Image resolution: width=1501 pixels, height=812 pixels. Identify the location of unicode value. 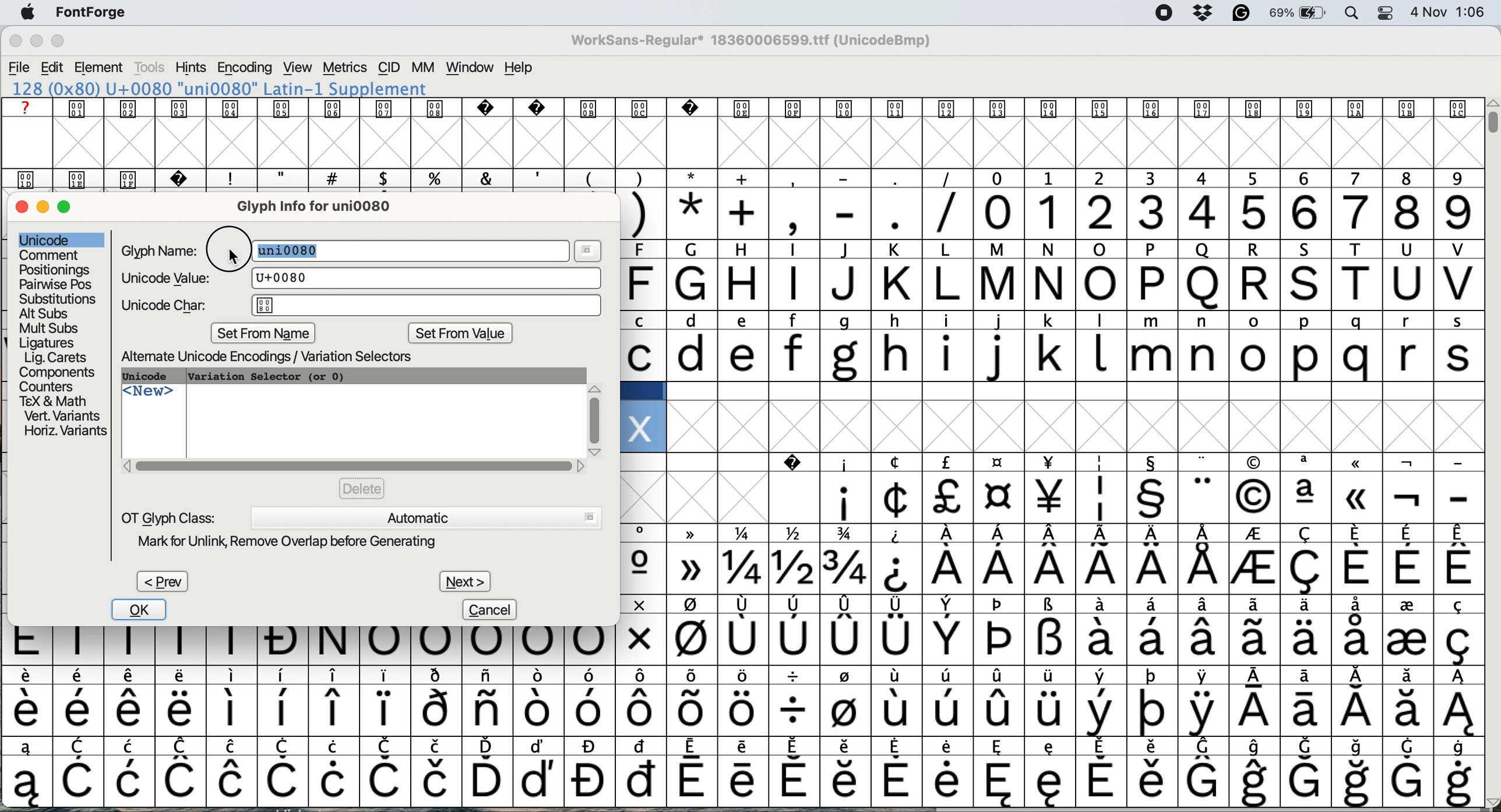
(357, 278).